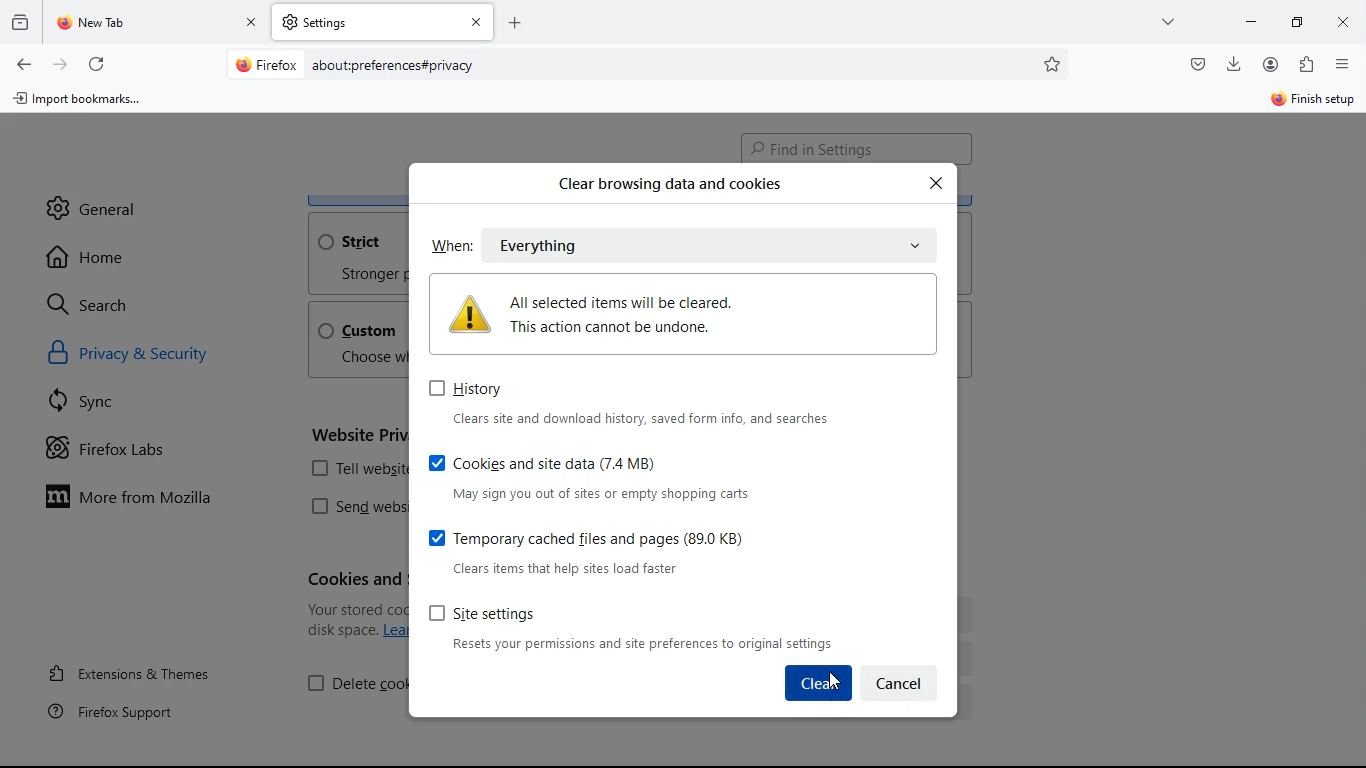 Image resolution: width=1366 pixels, height=768 pixels. I want to click on profile, so click(1275, 64).